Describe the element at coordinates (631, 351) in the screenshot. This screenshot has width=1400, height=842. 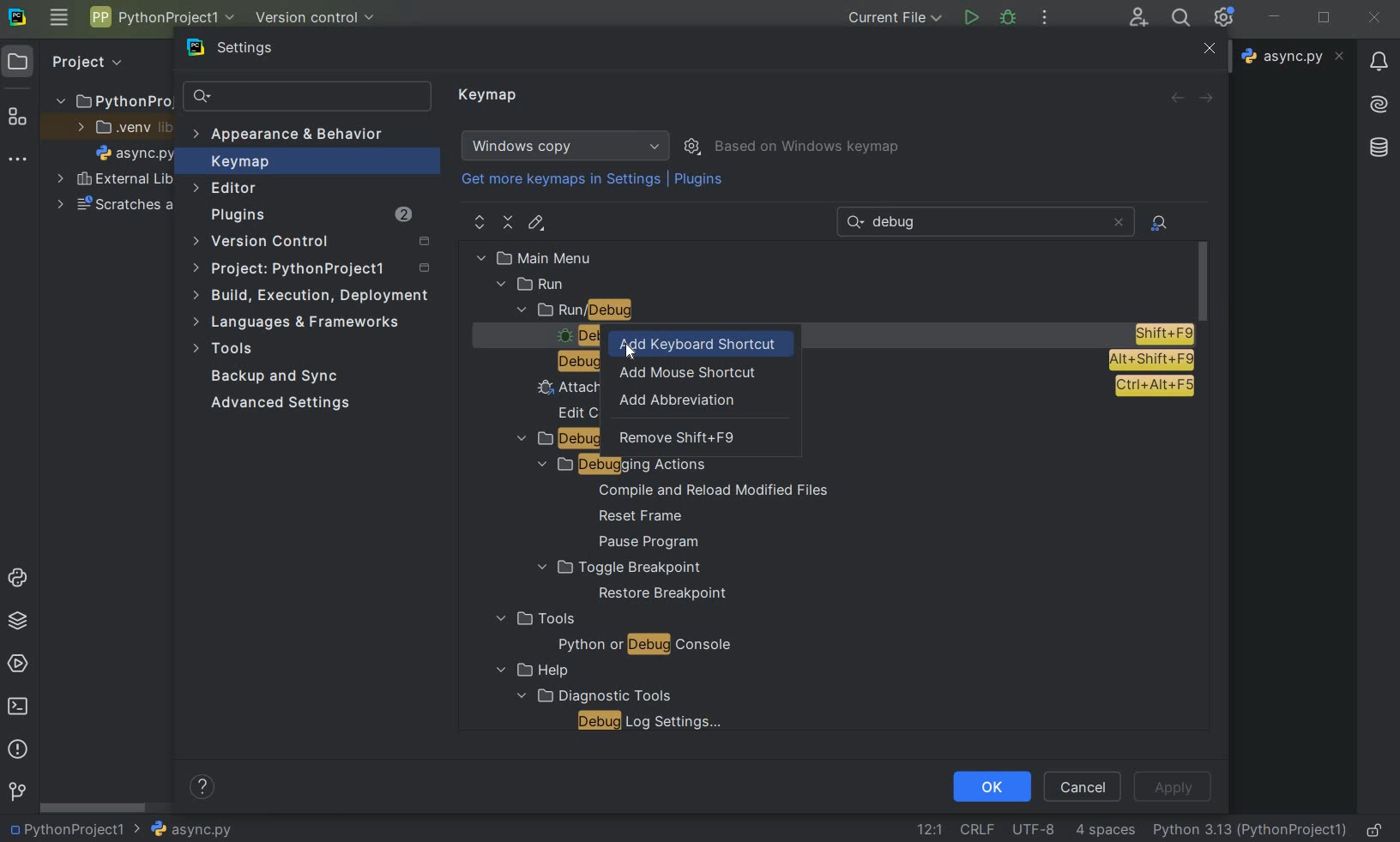
I see `cursor` at that location.